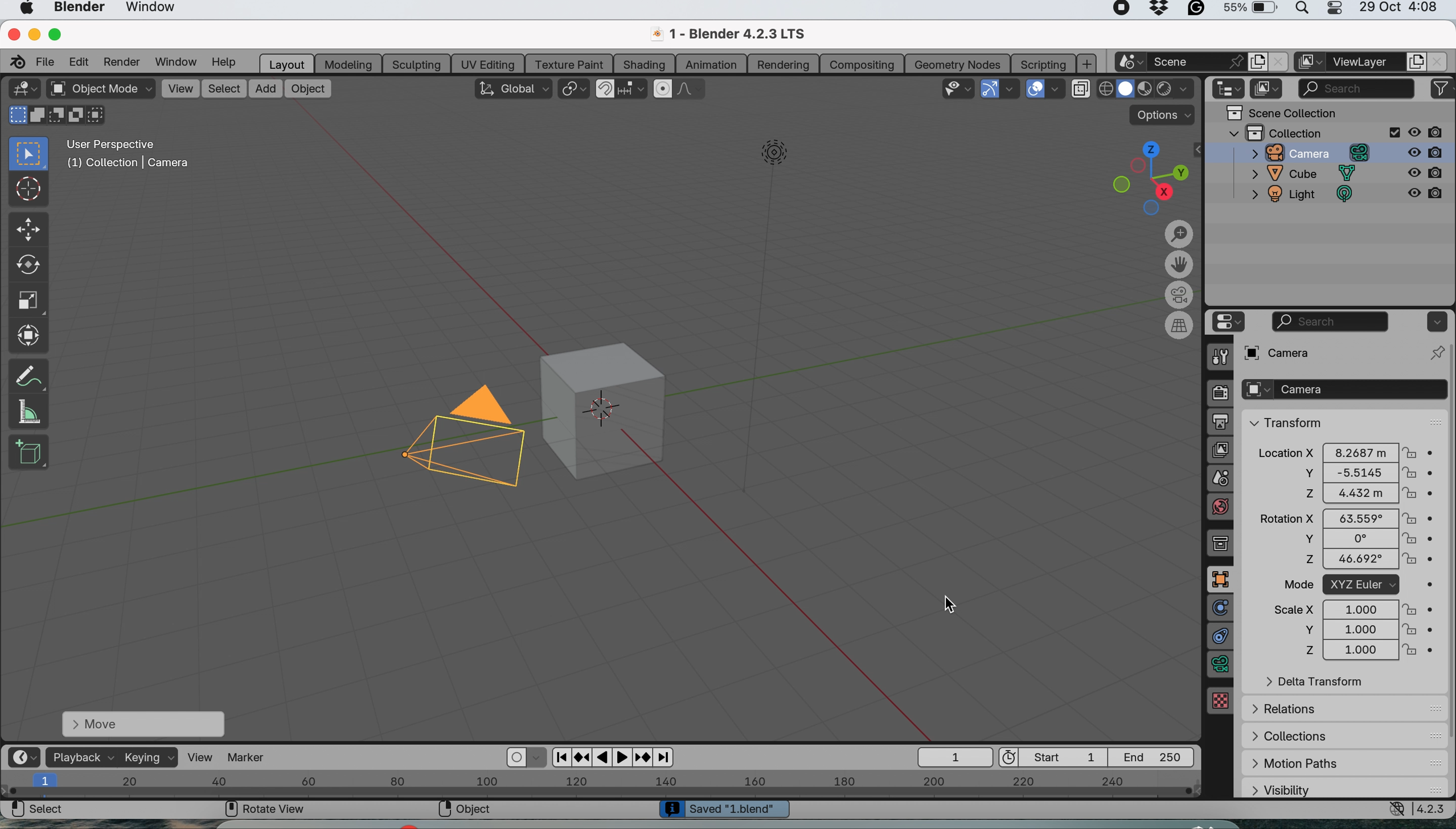  What do you see at coordinates (1295, 733) in the screenshot?
I see `collections` at bounding box center [1295, 733].